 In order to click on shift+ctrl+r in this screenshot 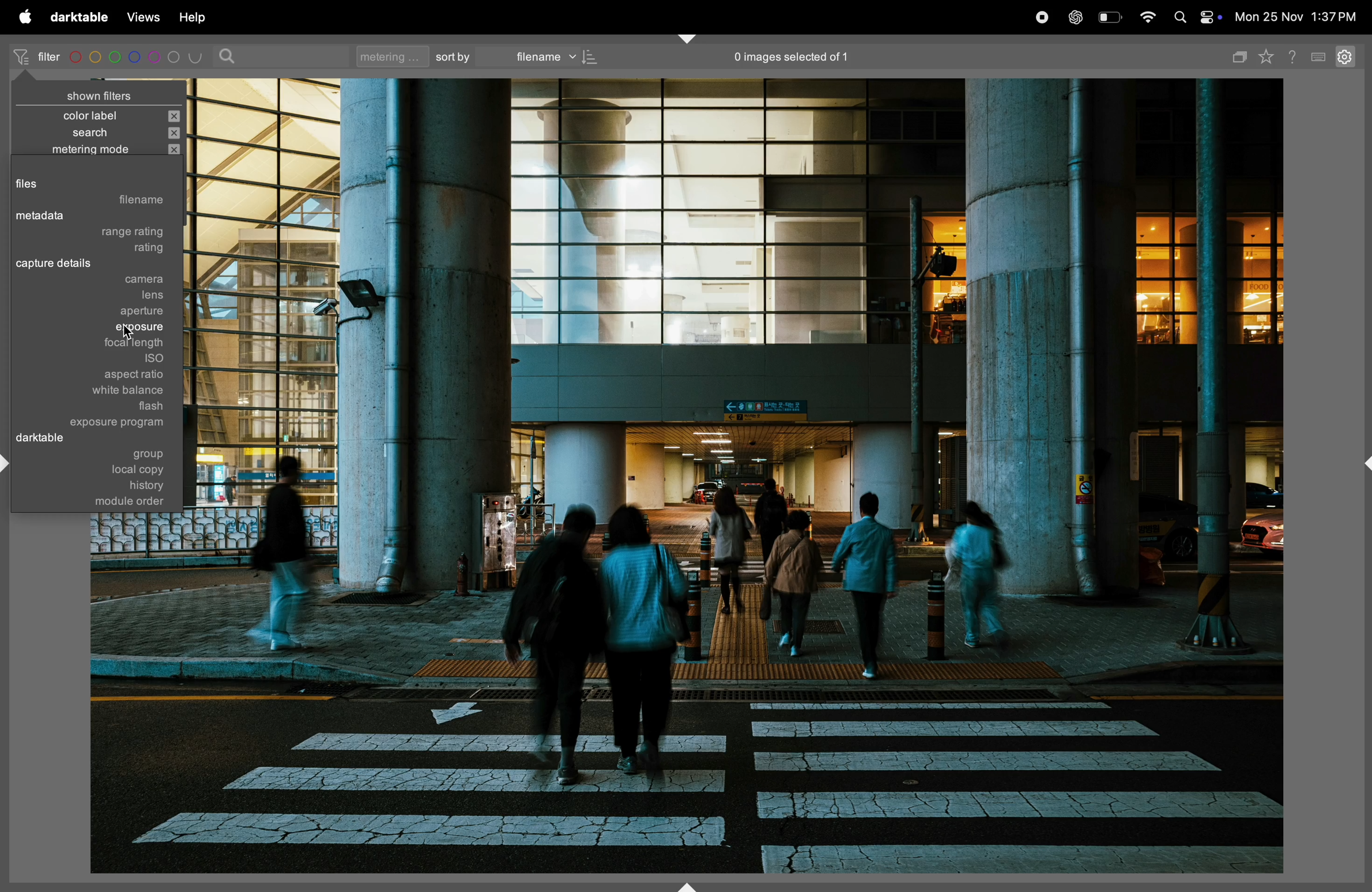, I will do `click(1362, 463)`.